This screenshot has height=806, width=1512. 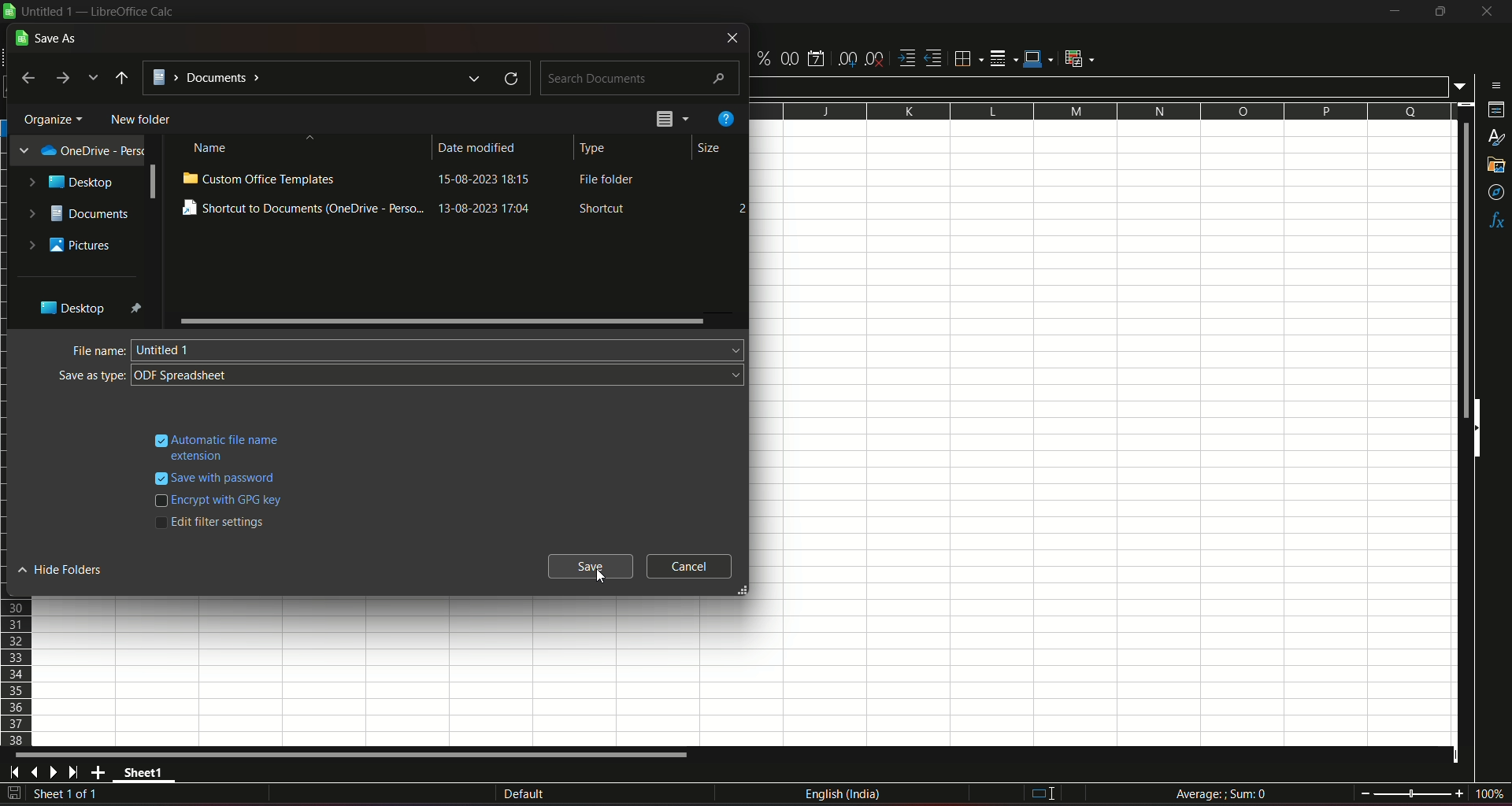 What do you see at coordinates (158, 502) in the screenshot?
I see `checkbox` at bounding box center [158, 502].